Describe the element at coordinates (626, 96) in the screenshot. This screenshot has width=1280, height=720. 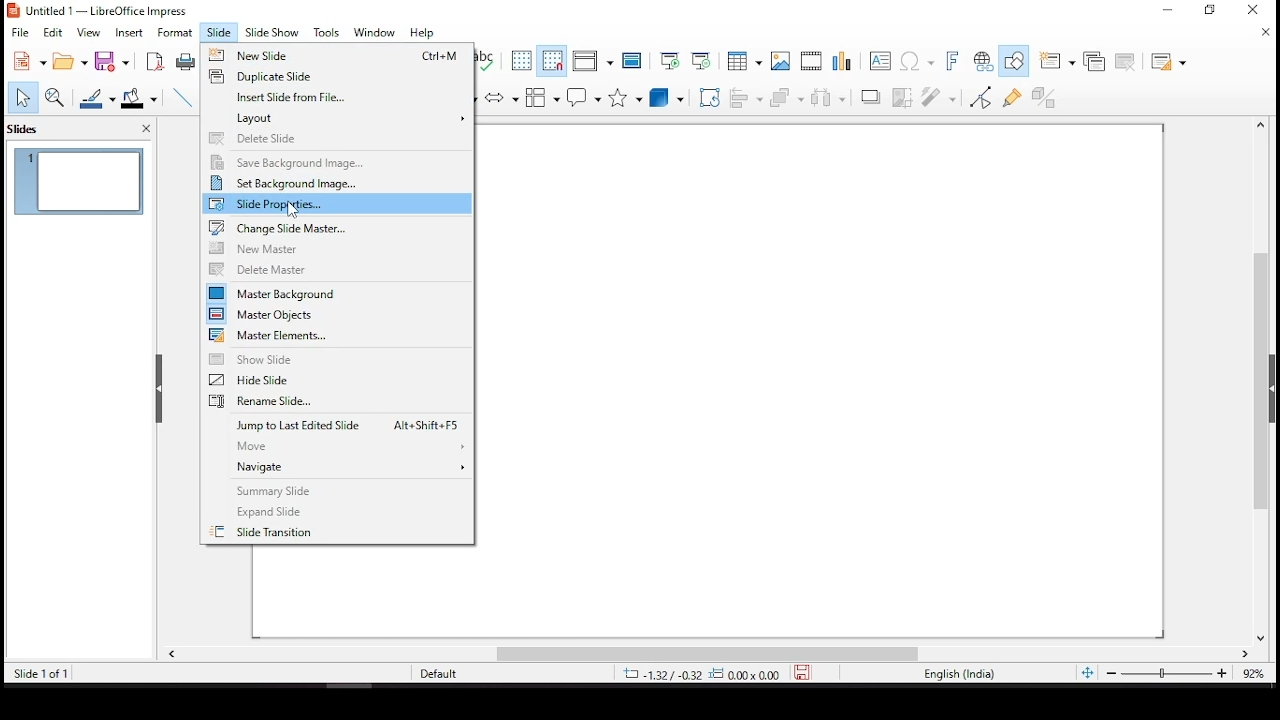
I see `stars and banners` at that location.